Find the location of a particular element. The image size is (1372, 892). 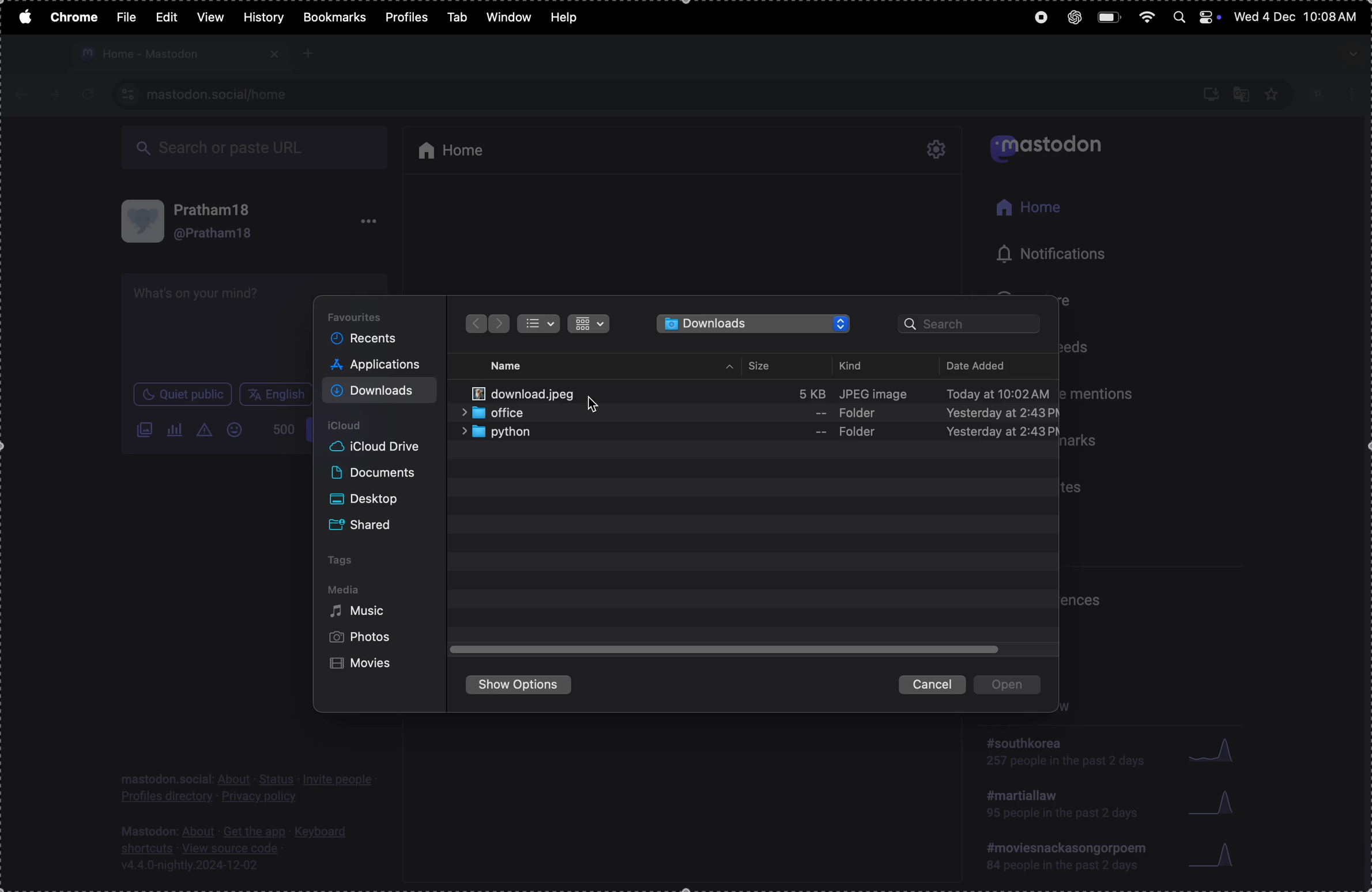

tags is located at coordinates (346, 560).